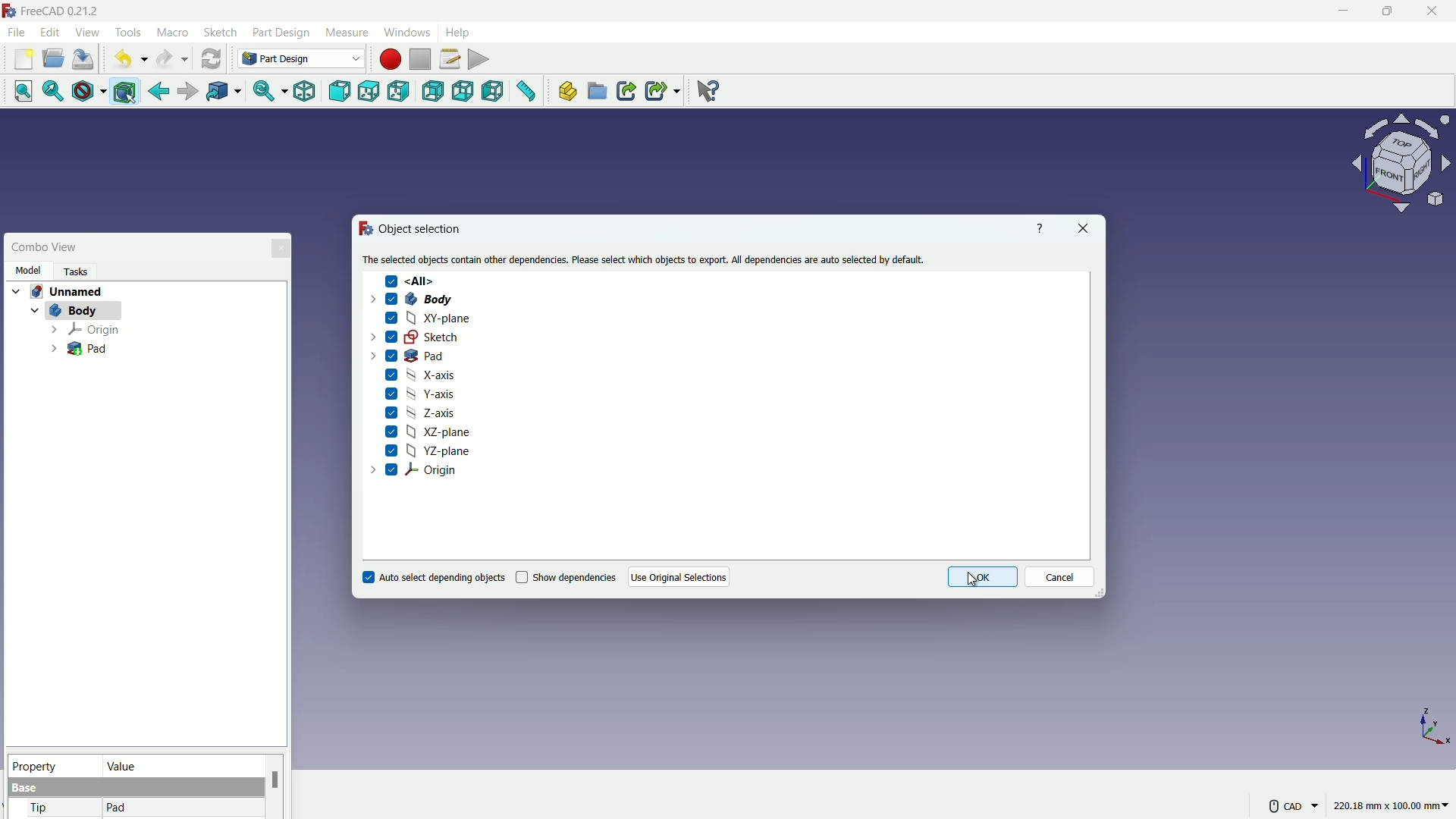 This screenshot has height=819, width=1456. What do you see at coordinates (429, 318) in the screenshot?
I see `XY-plane` at bounding box center [429, 318].